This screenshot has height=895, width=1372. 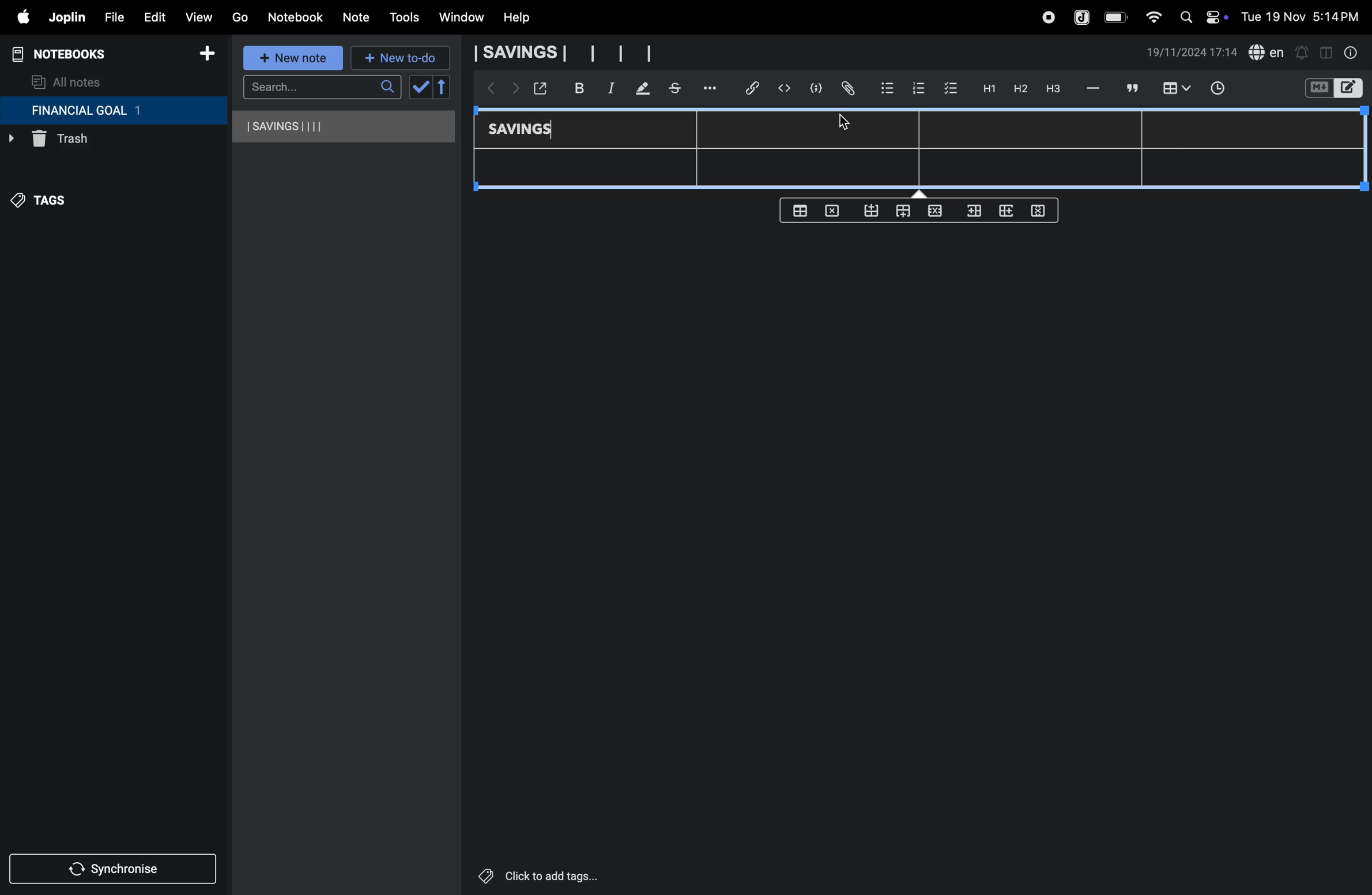 I want to click on hifen, so click(x=1095, y=88).